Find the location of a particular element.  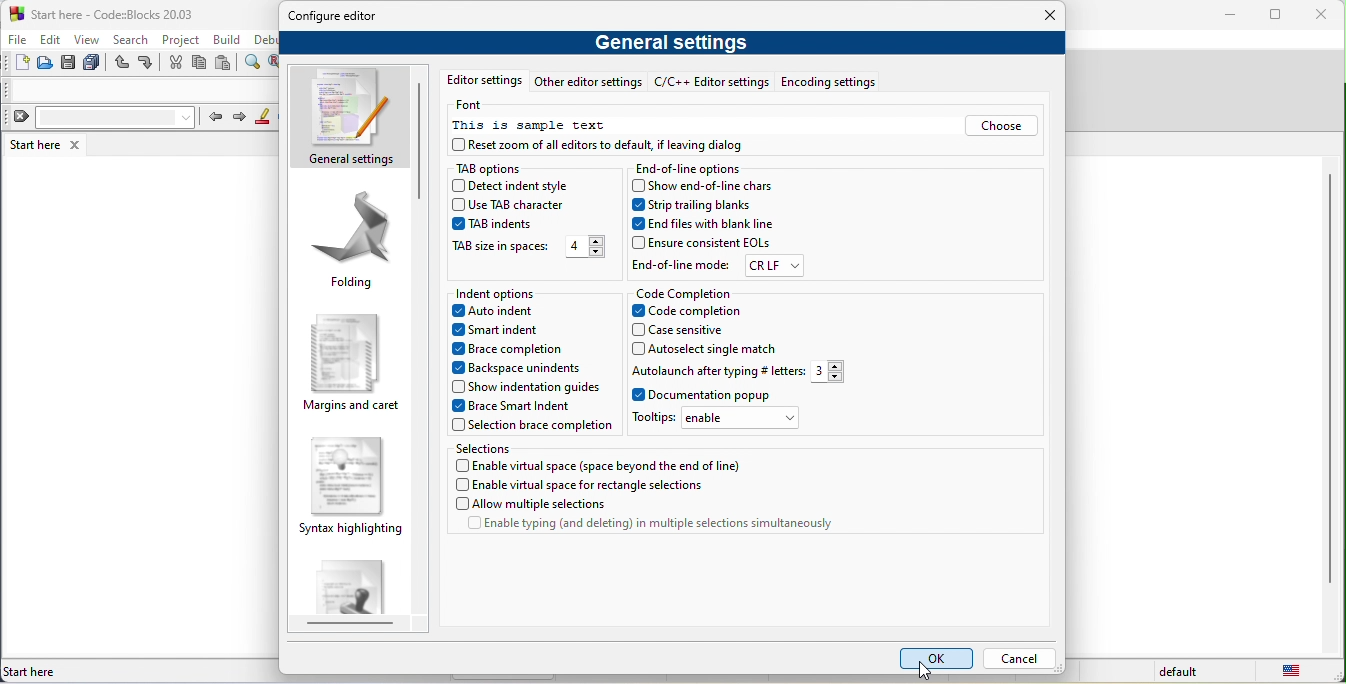

edit is located at coordinates (54, 41).